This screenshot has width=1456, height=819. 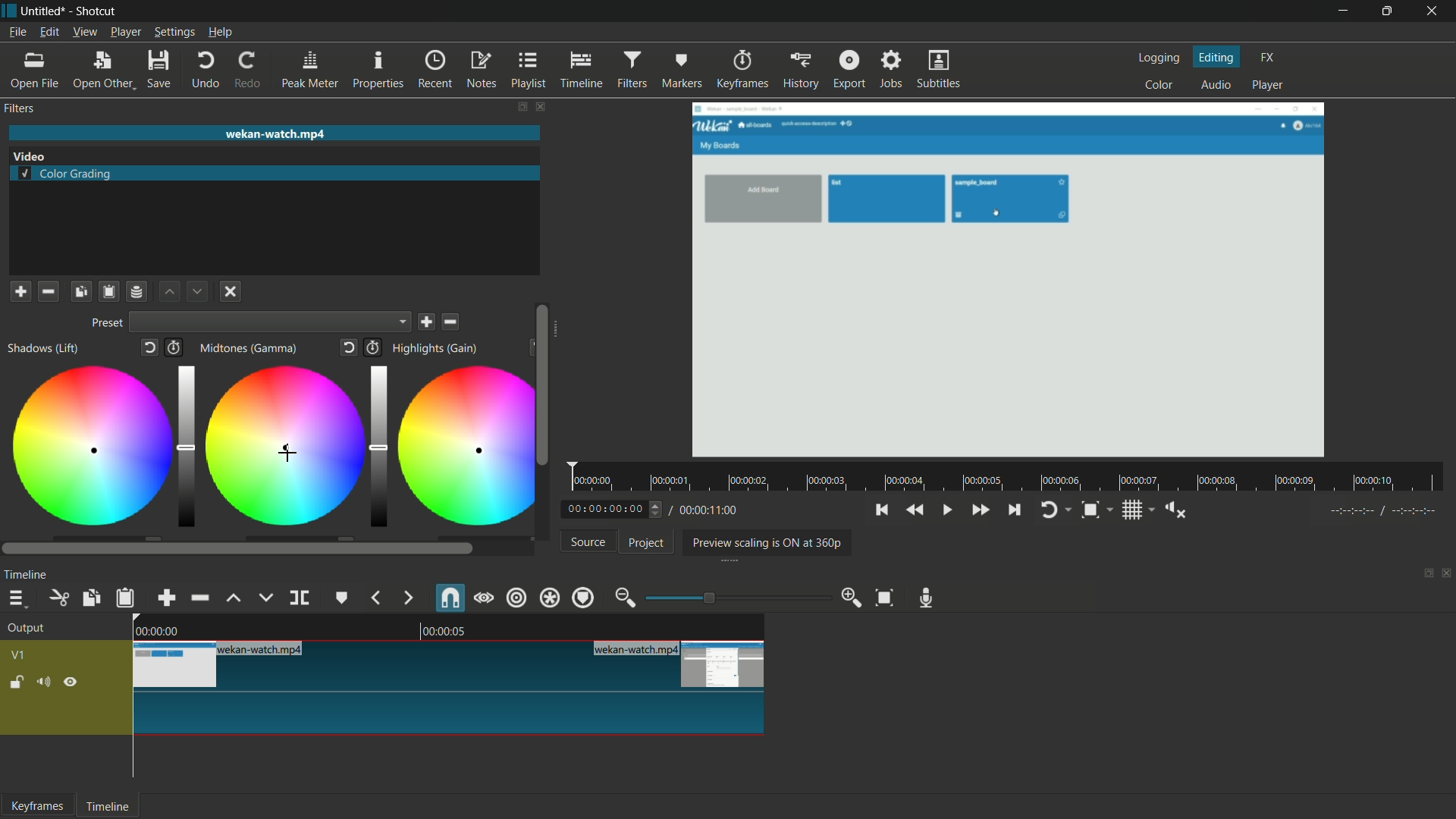 What do you see at coordinates (940, 69) in the screenshot?
I see `subtitles` at bounding box center [940, 69].